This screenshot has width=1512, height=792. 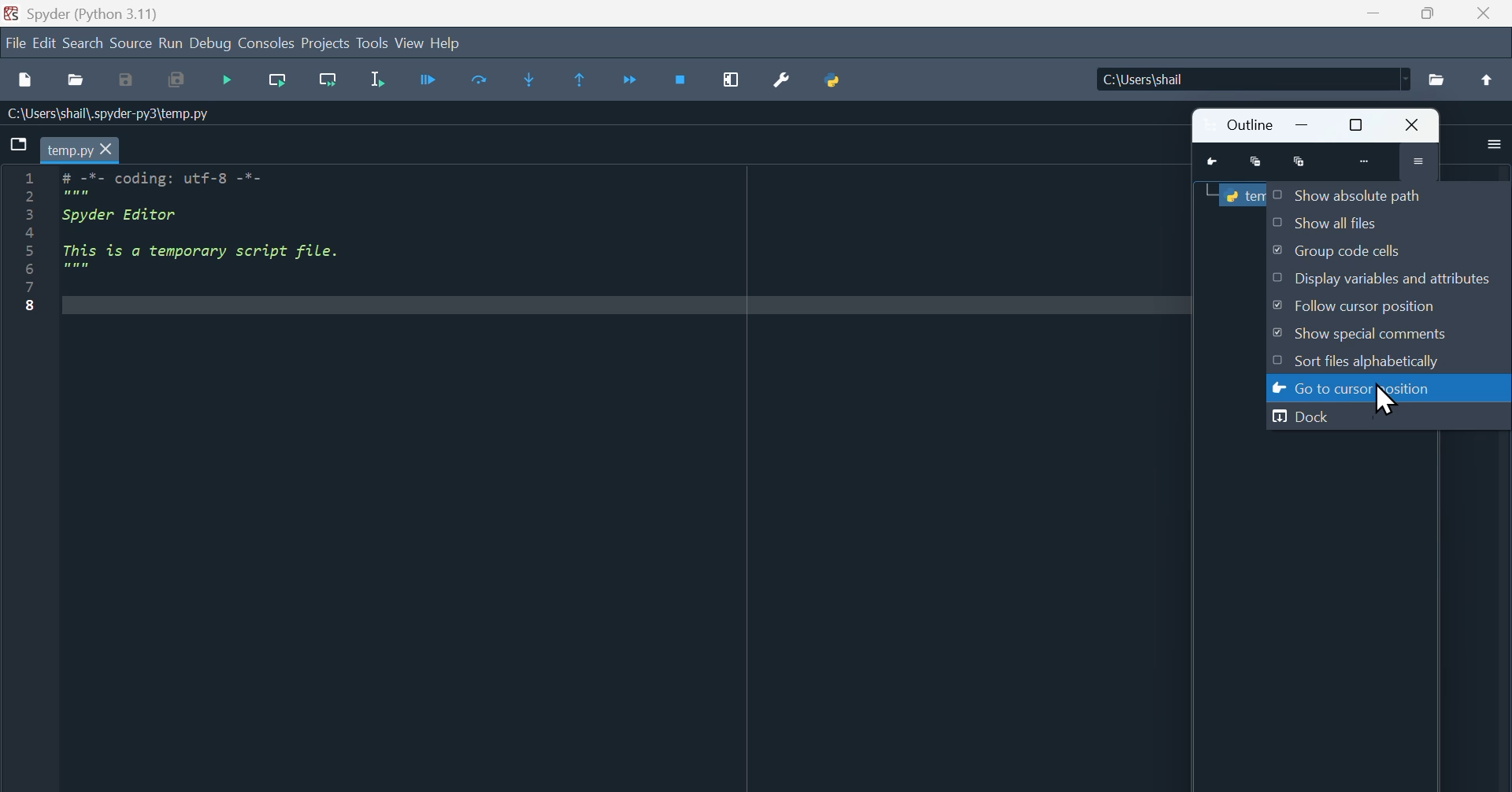 What do you see at coordinates (1364, 334) in the screenshot?
I see `Show special comments` at bounding box center [1364, 334].